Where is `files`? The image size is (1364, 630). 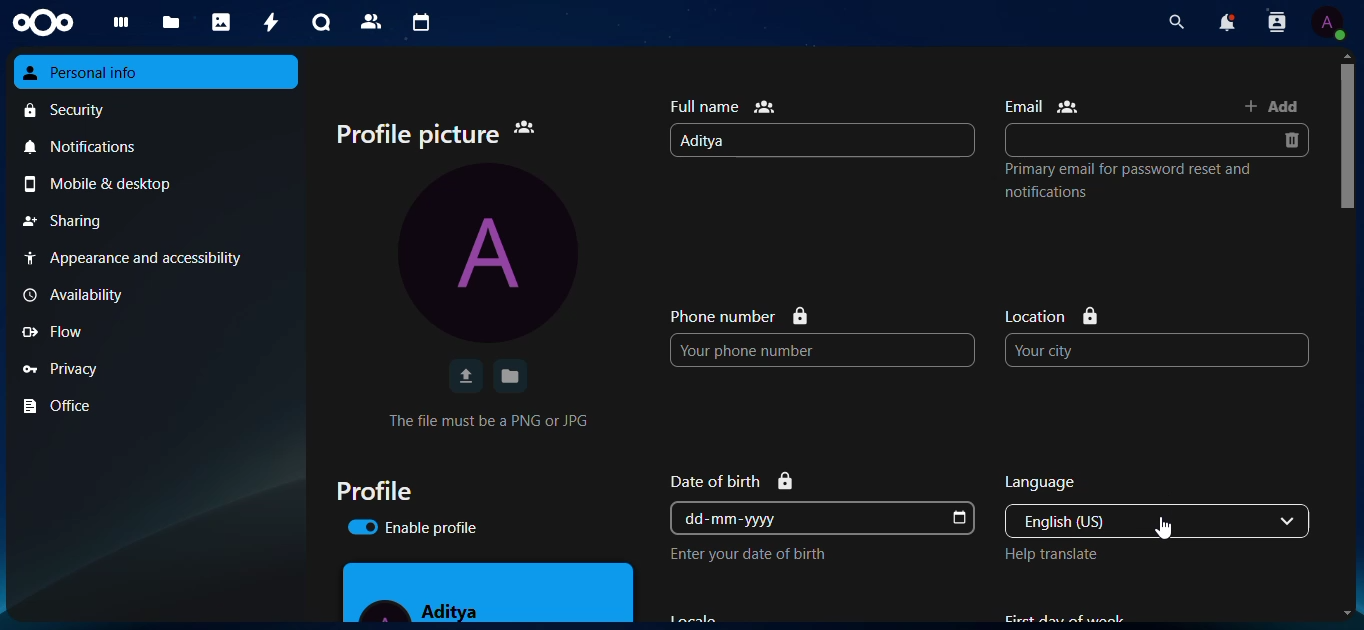 files is located at coordinates (172, 23).